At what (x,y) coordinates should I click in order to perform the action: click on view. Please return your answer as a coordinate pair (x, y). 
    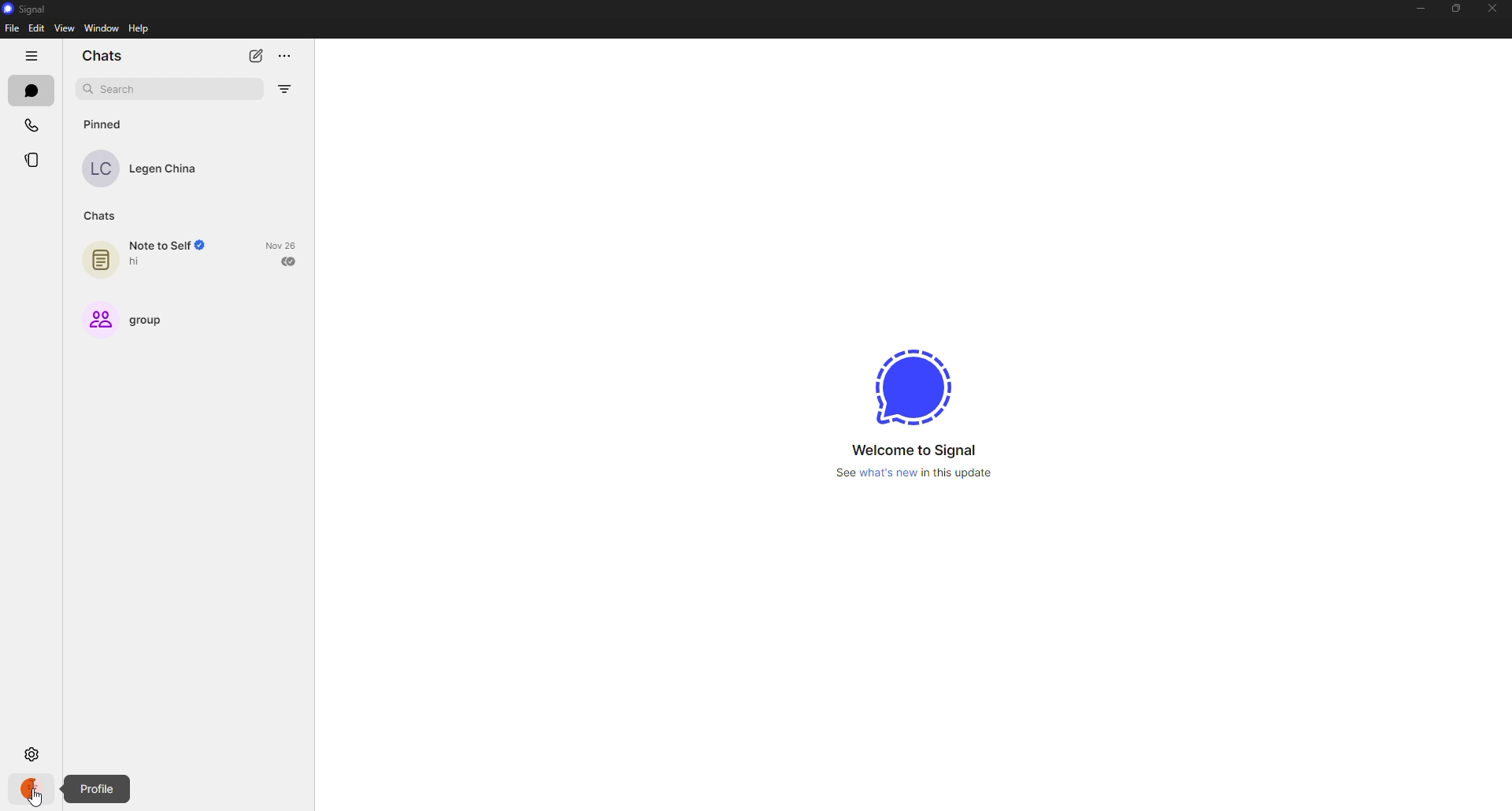
    Looking at the image, I should click on (63, 29).